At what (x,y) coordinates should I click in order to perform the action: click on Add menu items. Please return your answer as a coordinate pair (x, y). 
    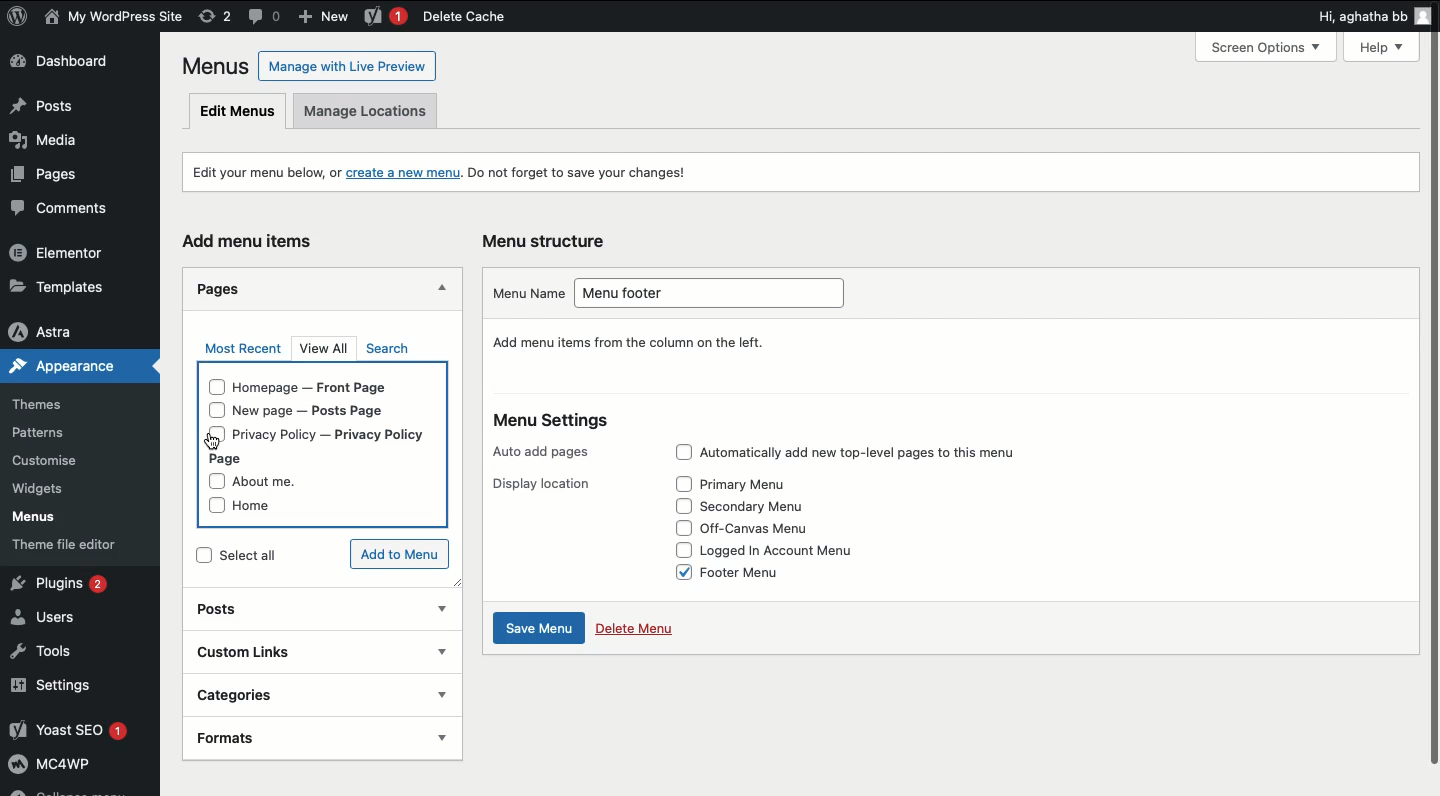
    Looking at the image, I should click on (252, 240).